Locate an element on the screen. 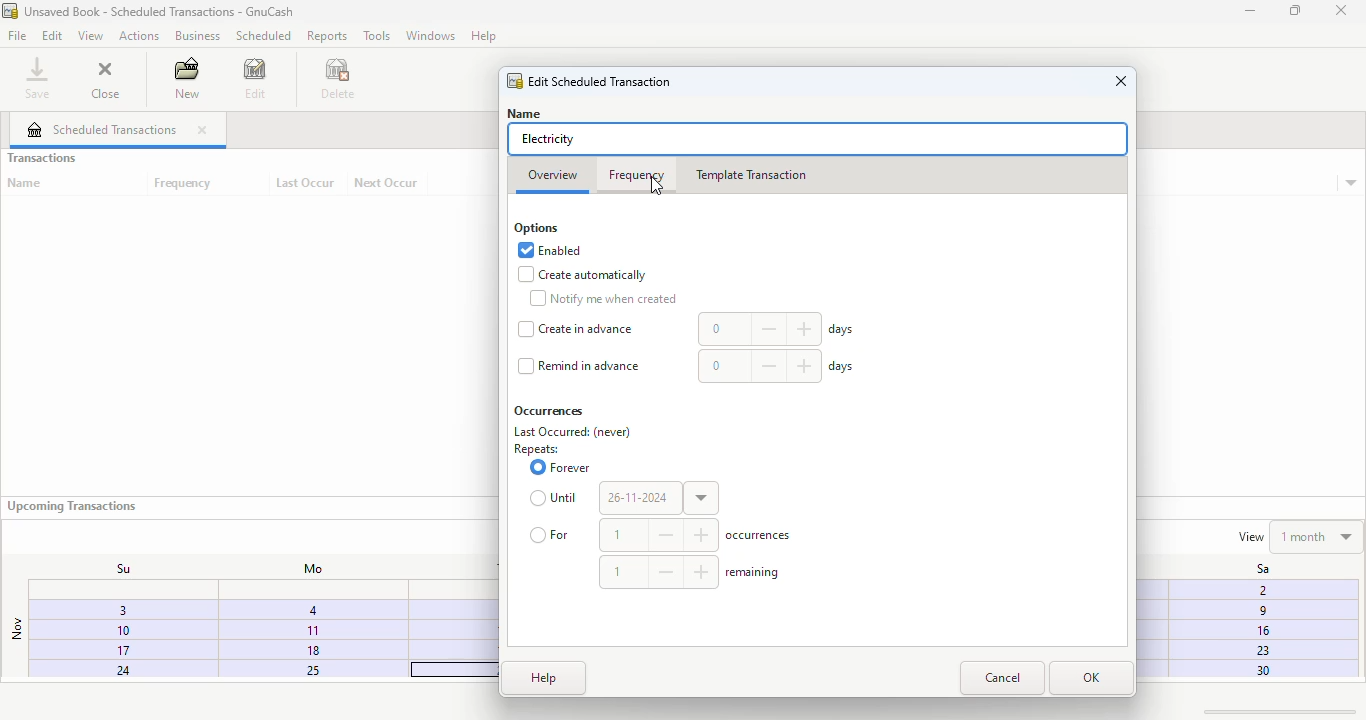  delete is located at coordinates (339, 78).